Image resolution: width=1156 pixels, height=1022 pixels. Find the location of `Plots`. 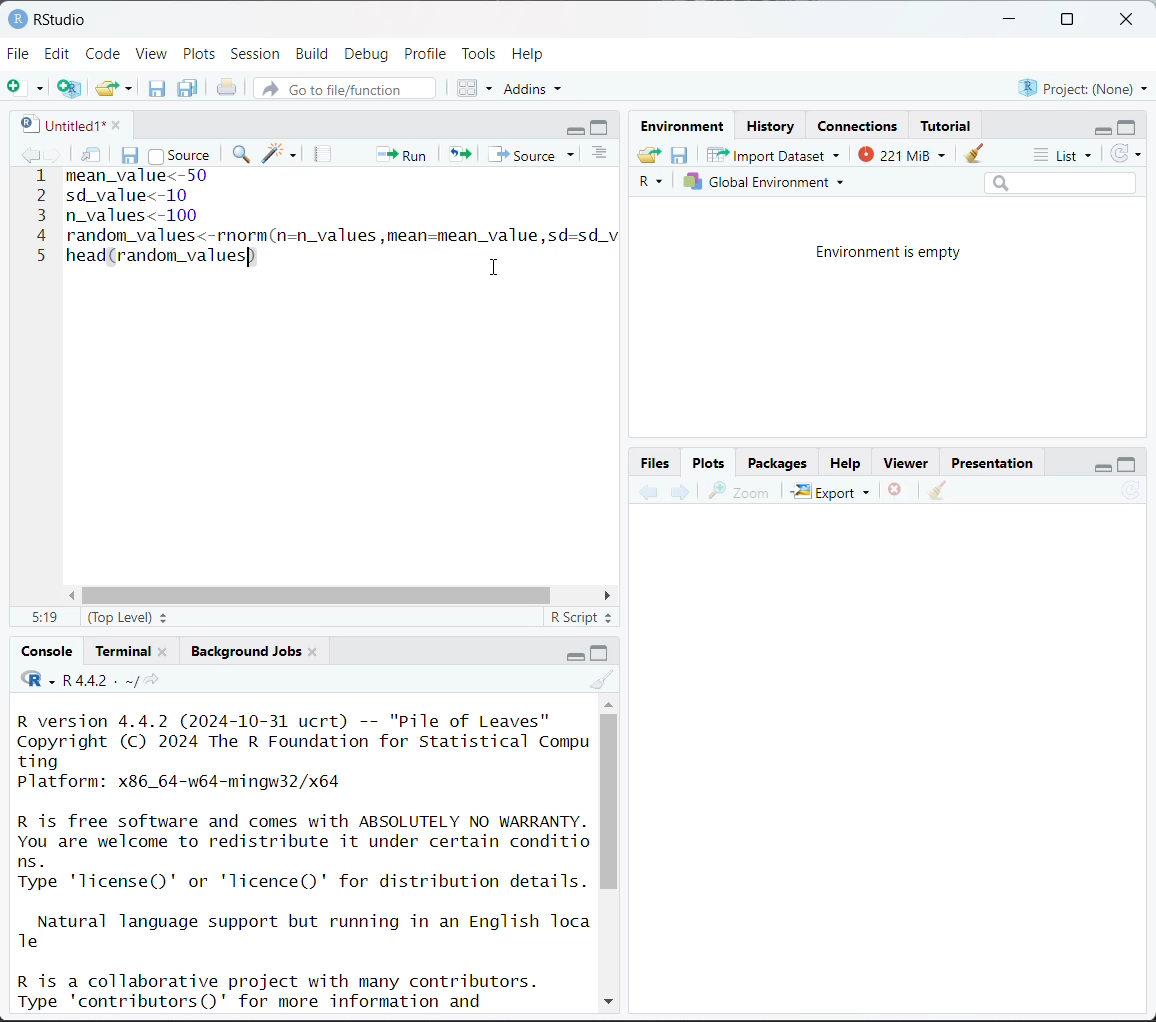

Plots is located at coordinates (709, 461).